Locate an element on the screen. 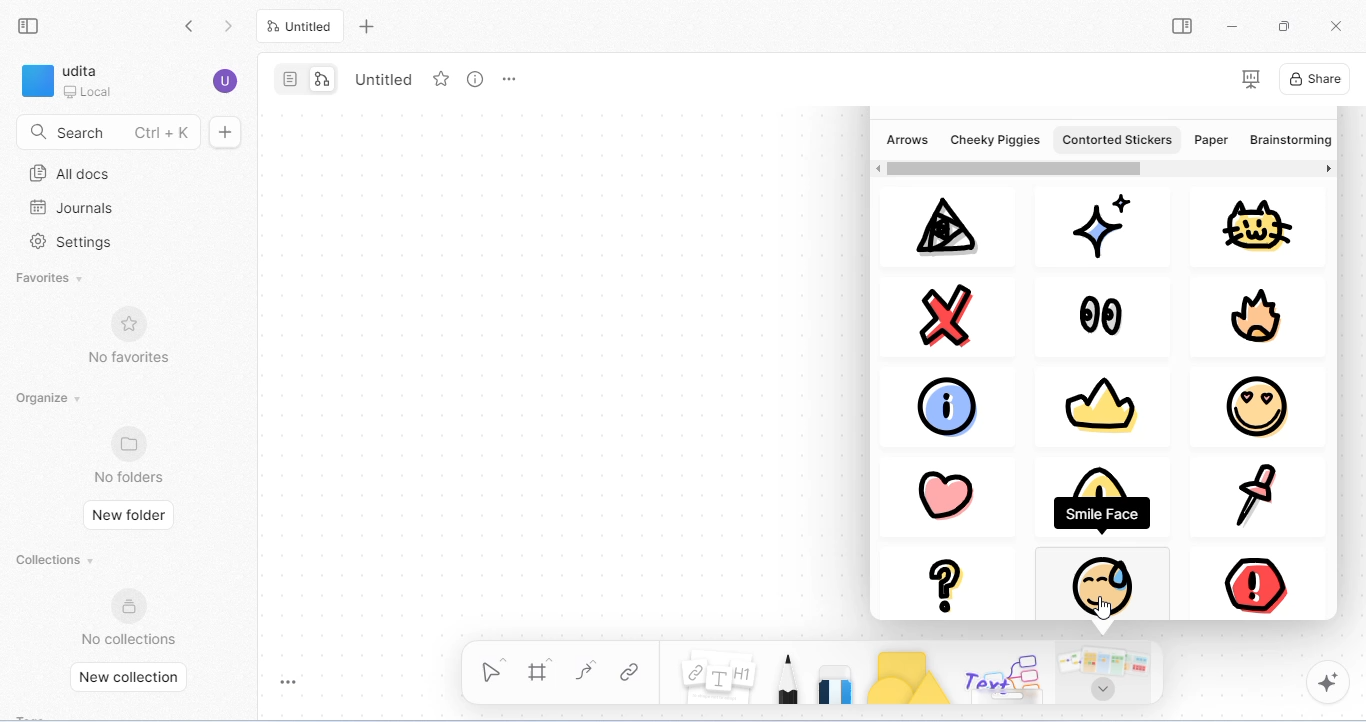 This screenshot has height=722, width=1366. arrows is located at coordinates (907, 139).